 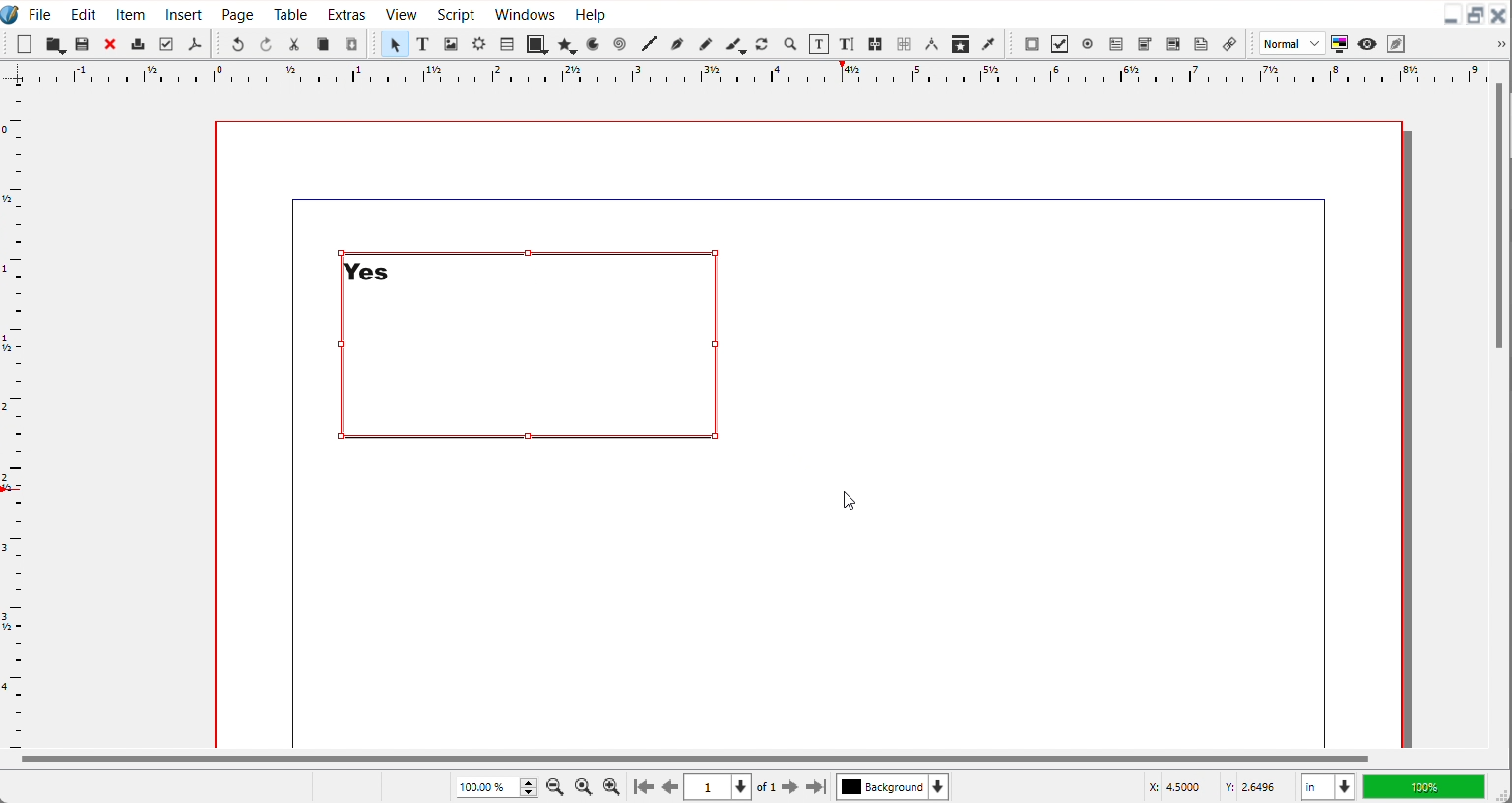 I want to click on Horizontal Scroll bar, so click(x=692, y=759).